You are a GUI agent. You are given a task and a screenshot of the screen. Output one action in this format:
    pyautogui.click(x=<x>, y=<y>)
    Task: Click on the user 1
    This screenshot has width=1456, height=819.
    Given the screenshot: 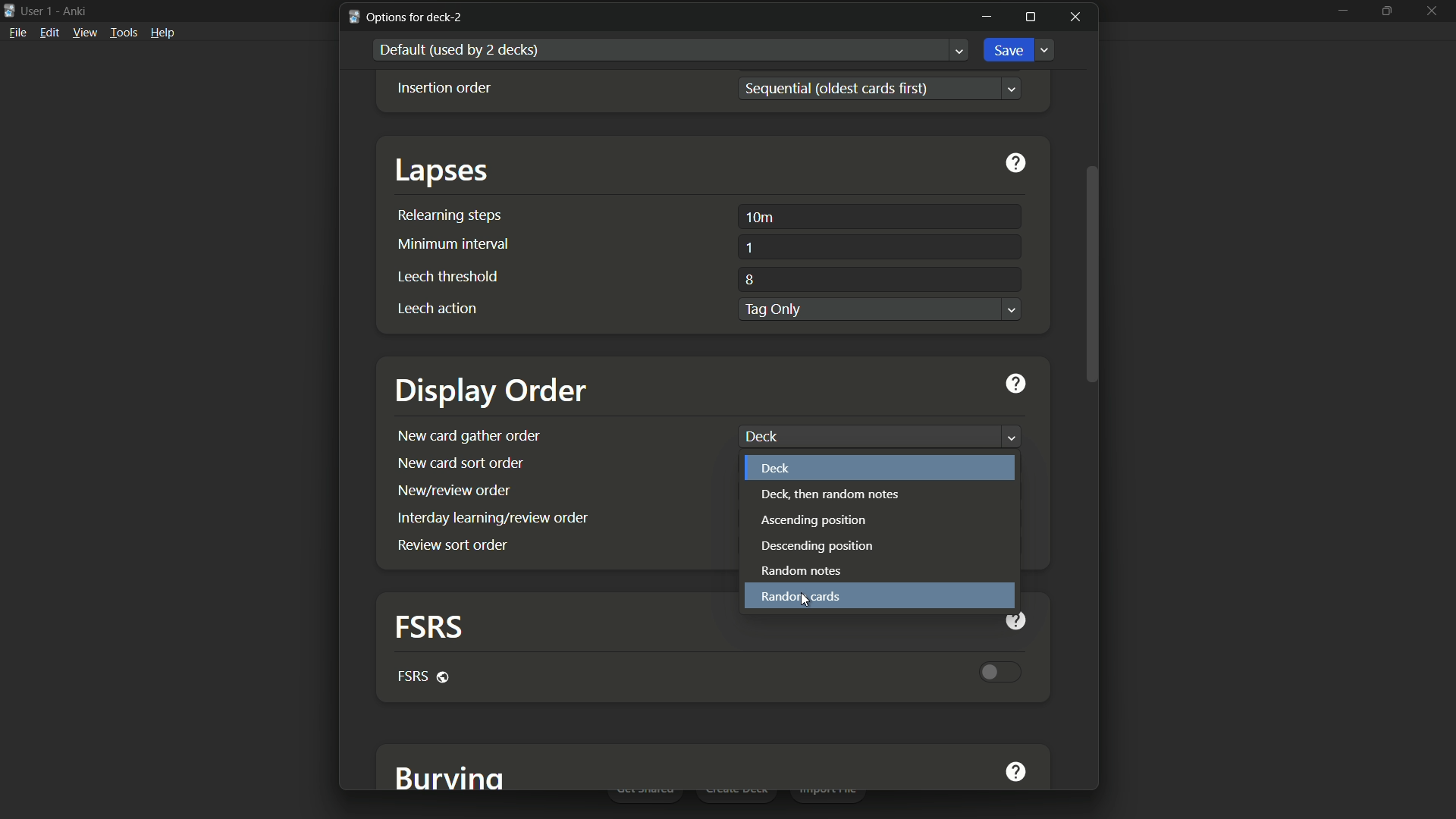 What is the action you would take?
    pyautogui.click(x=38, y=11)
    